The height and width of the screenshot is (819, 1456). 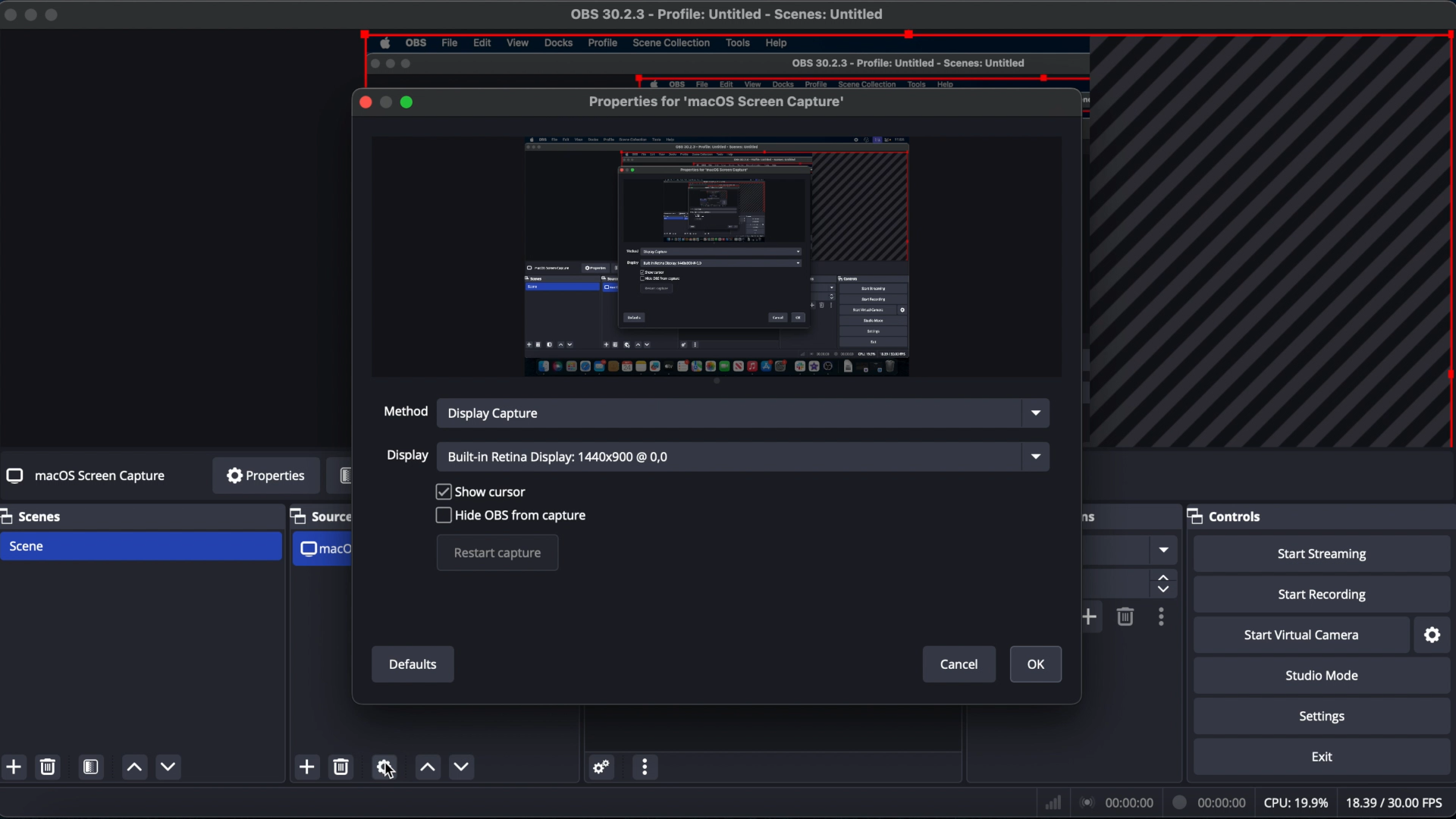 What do you see at coordinates (716, 256) in the screenshot?
I see `preview window` at bounding box center [716, 256].